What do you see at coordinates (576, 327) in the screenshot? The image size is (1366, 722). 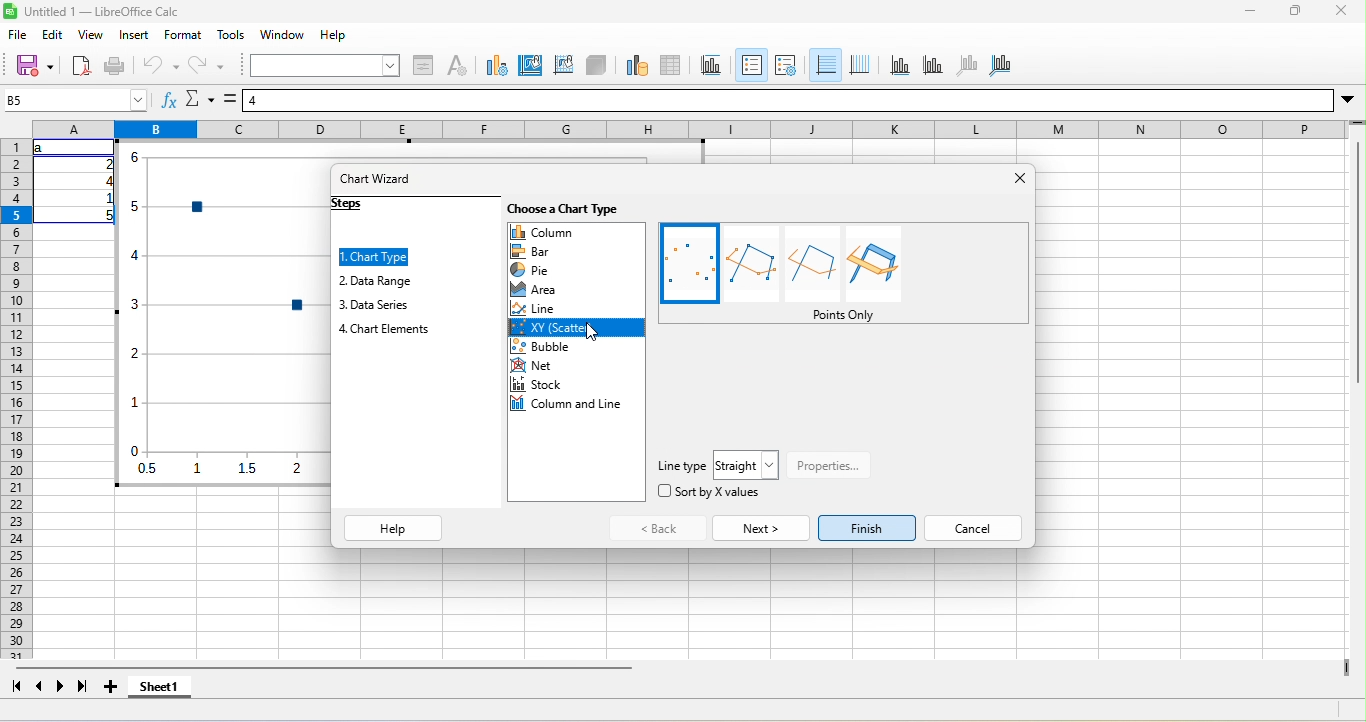 I see `xy (scatter) highlighted by cursor` at bounding box center [576, 327].